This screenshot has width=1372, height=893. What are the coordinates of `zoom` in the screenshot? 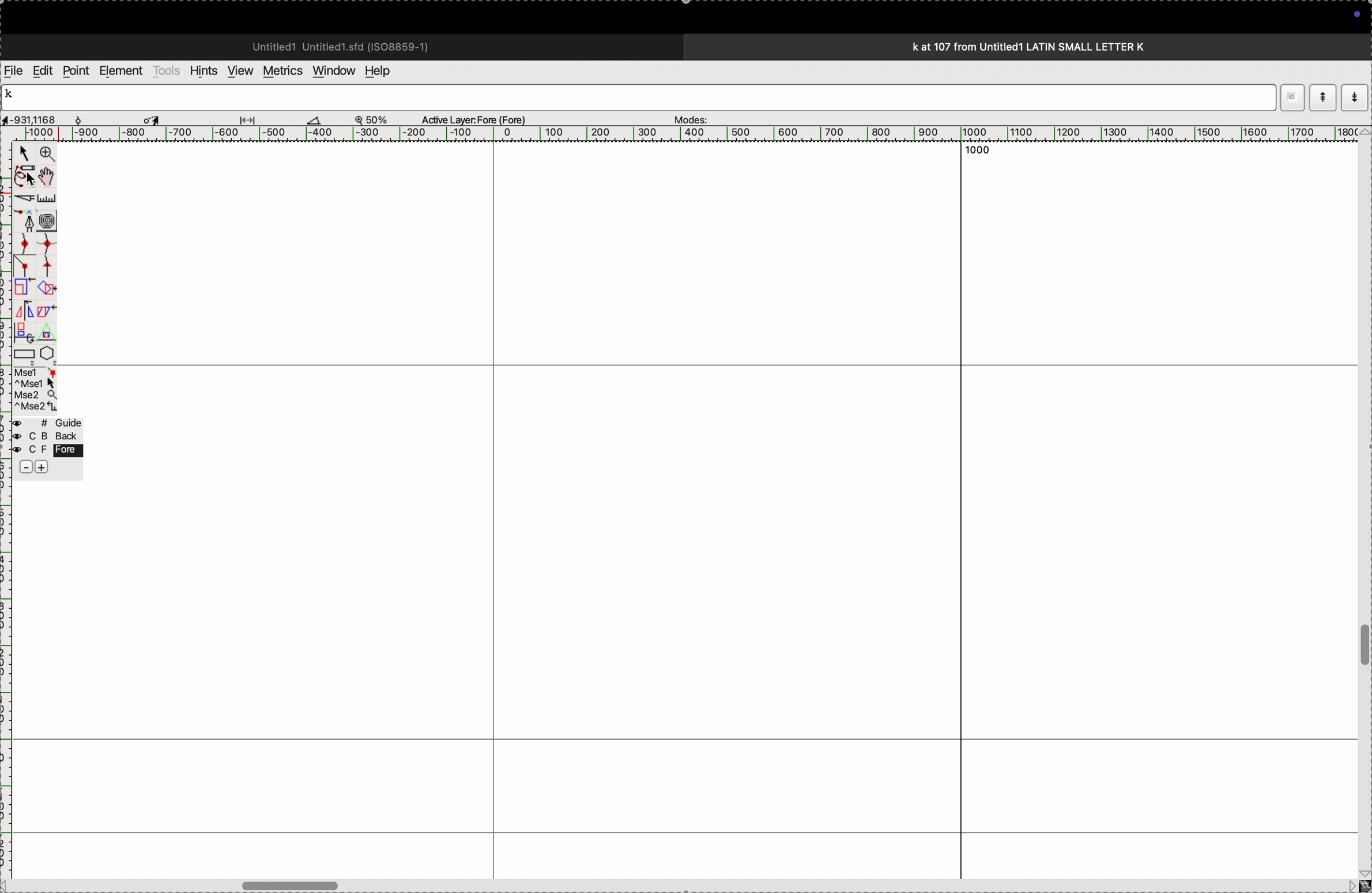 It's located at (45, 155).